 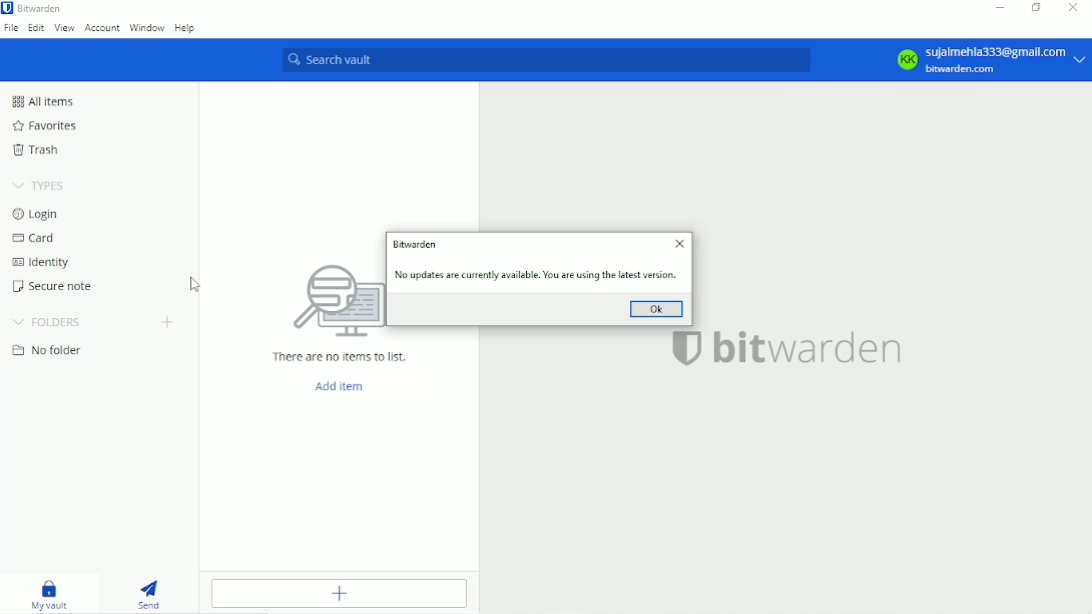 What do you see at coordinates (52, 286) in the screenshot?
I see `Secure note` at bounding box center [52, 286].